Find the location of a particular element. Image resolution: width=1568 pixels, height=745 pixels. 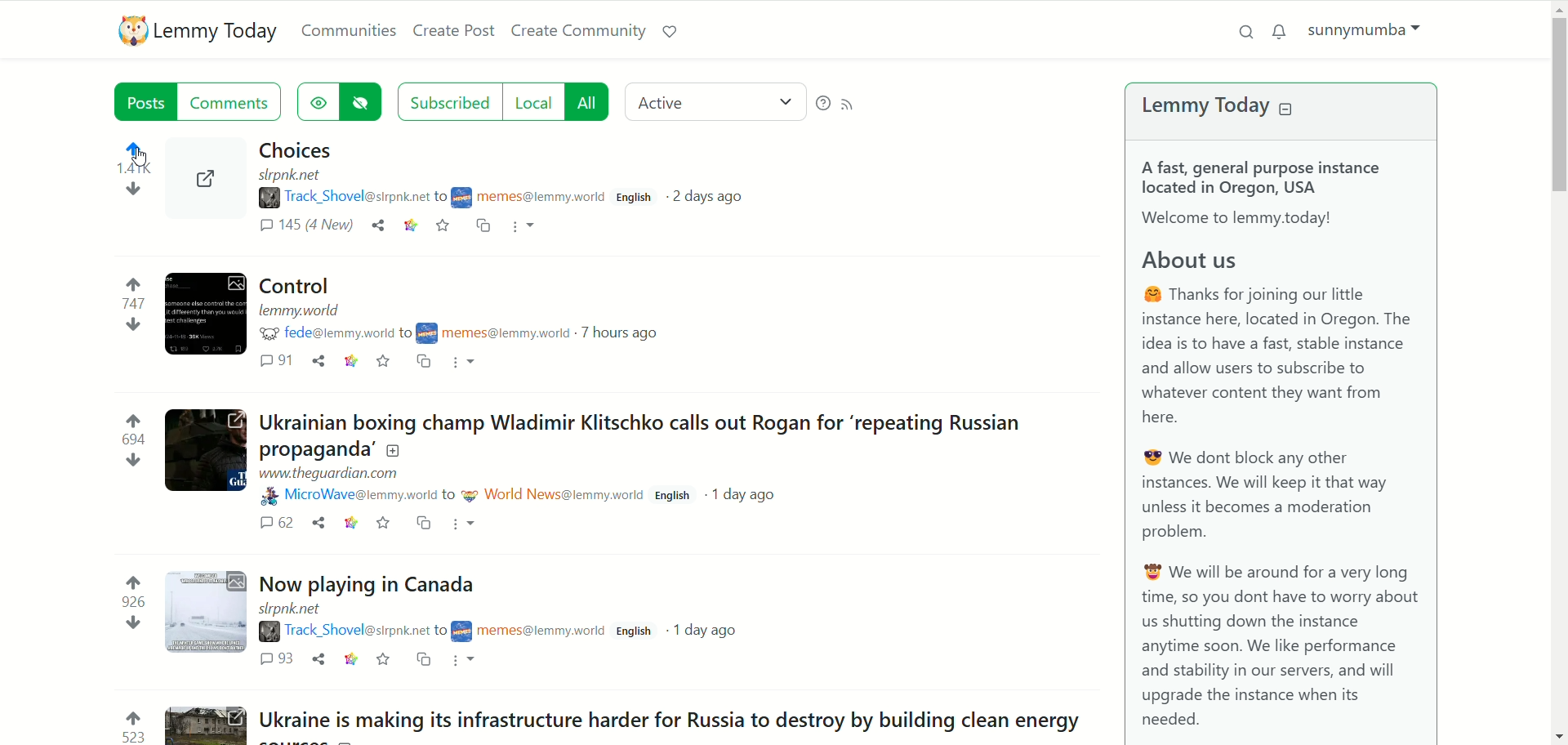

Post - Control is located at coordinates (319, 286).